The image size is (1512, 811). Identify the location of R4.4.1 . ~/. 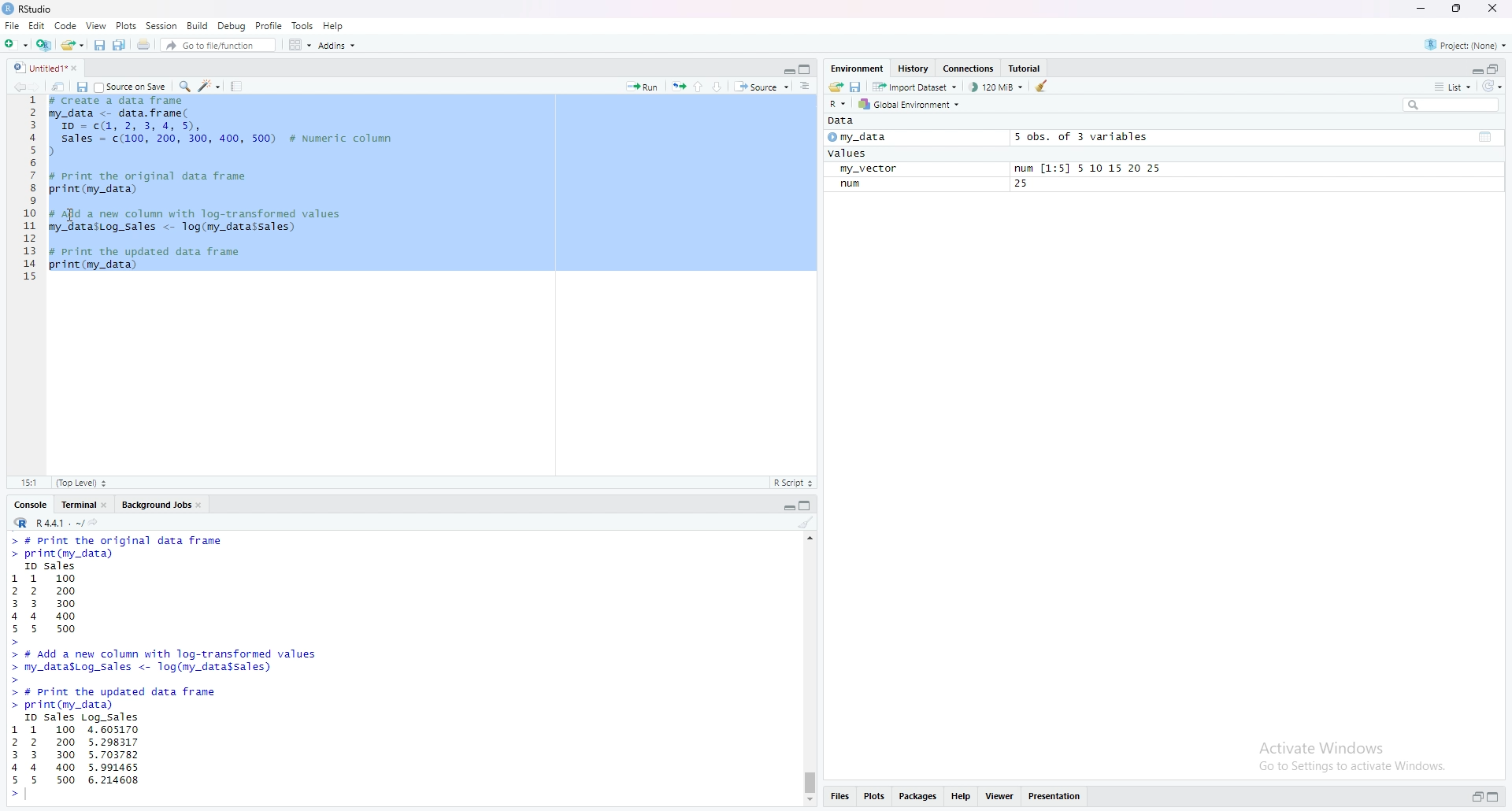
(61, 525).